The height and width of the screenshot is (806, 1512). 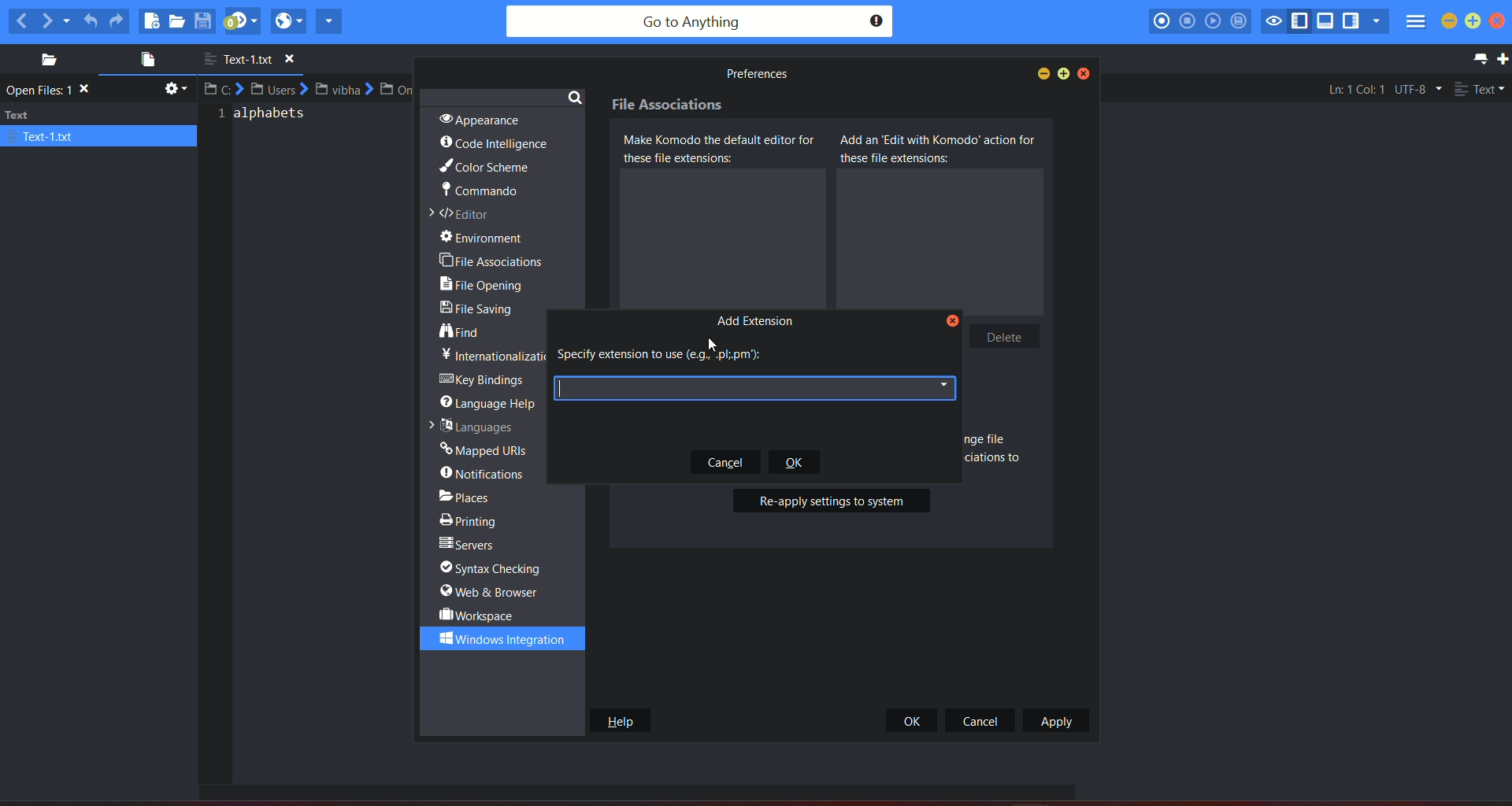 What do you see at coordinates (91, 18) in the screenshot?
I see `undo` at bounding box center [91, 18].